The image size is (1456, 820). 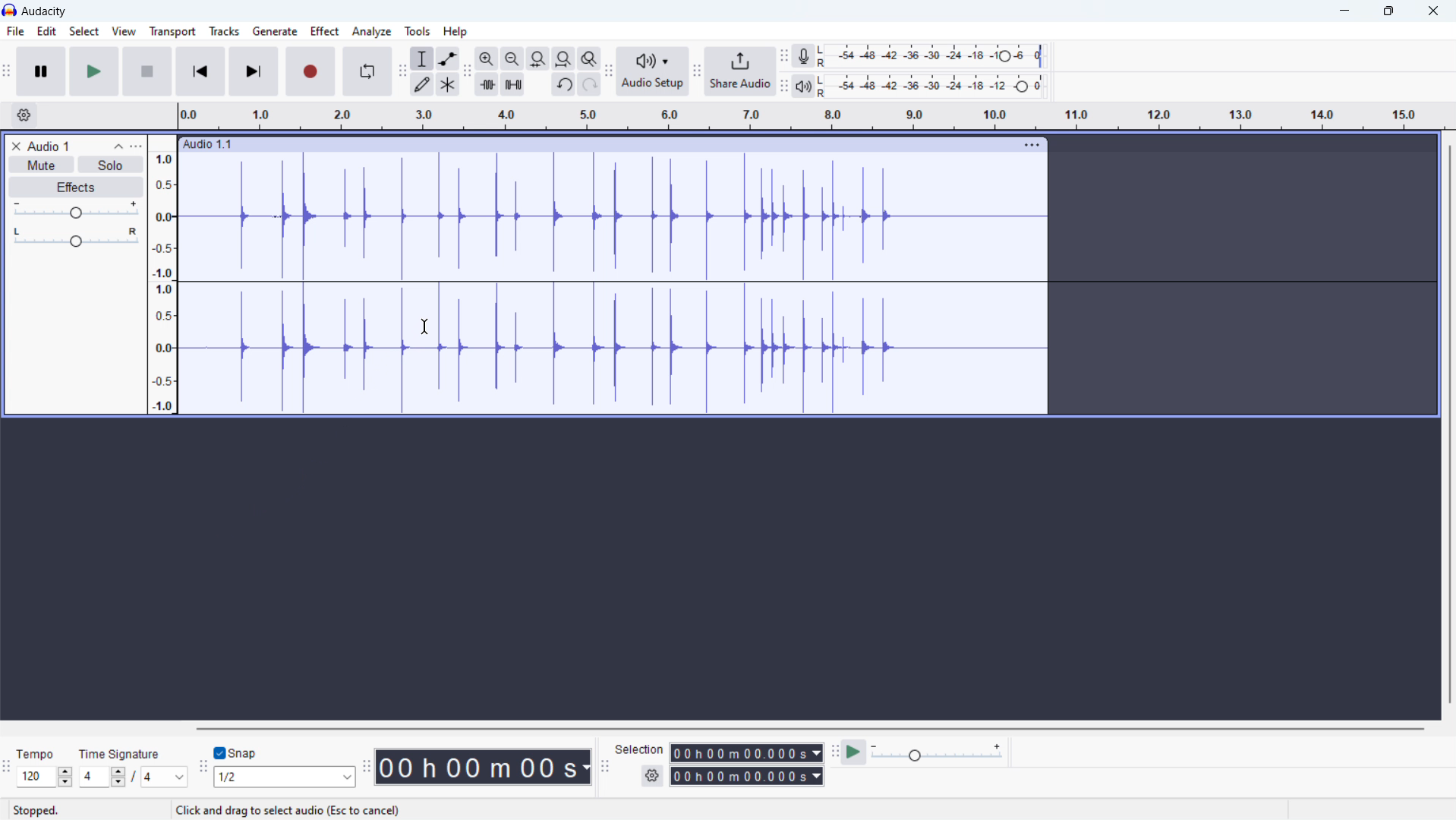 I want to click on play at speed, so click(x=854, y=752).